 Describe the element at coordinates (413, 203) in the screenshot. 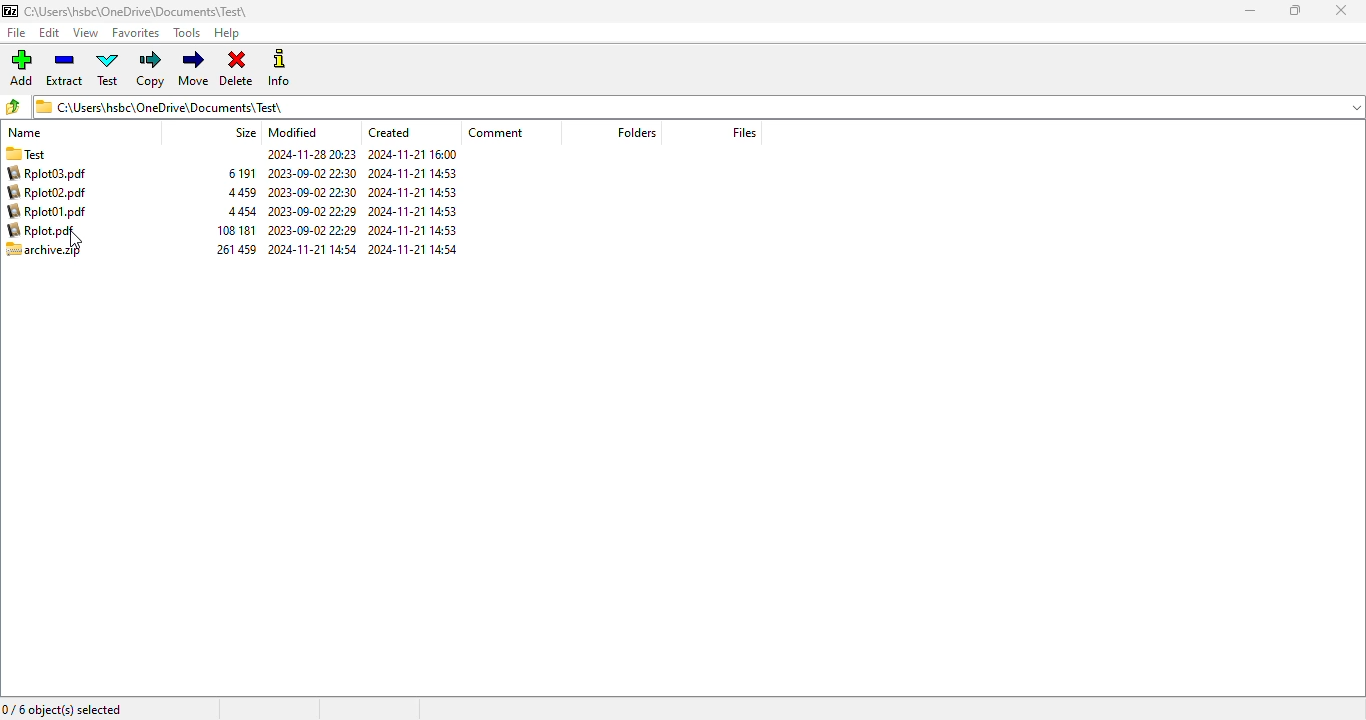

I see `created date and time` at that location.